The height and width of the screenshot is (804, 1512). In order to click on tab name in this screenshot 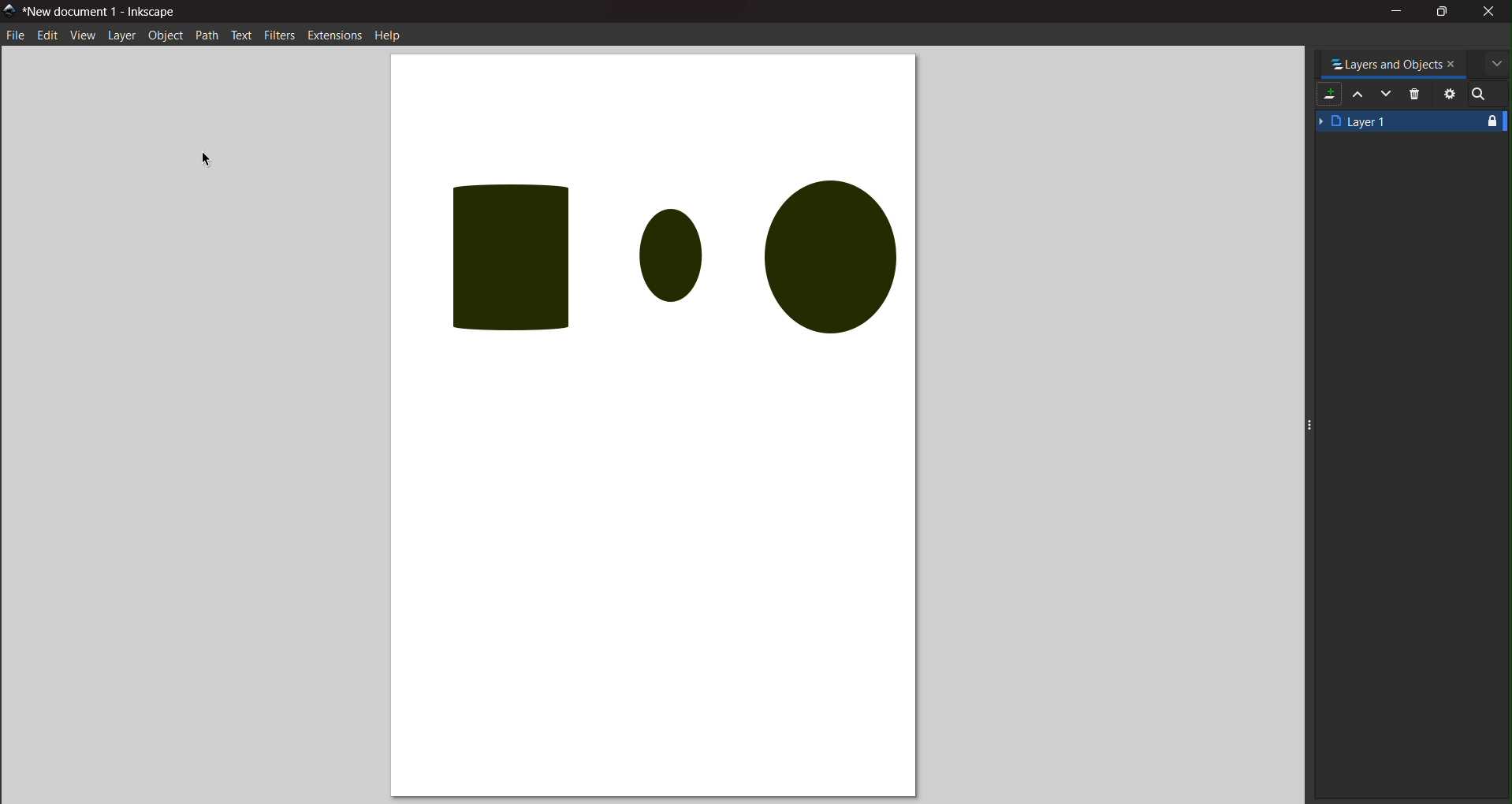, I will do `click(1387, 63)`.